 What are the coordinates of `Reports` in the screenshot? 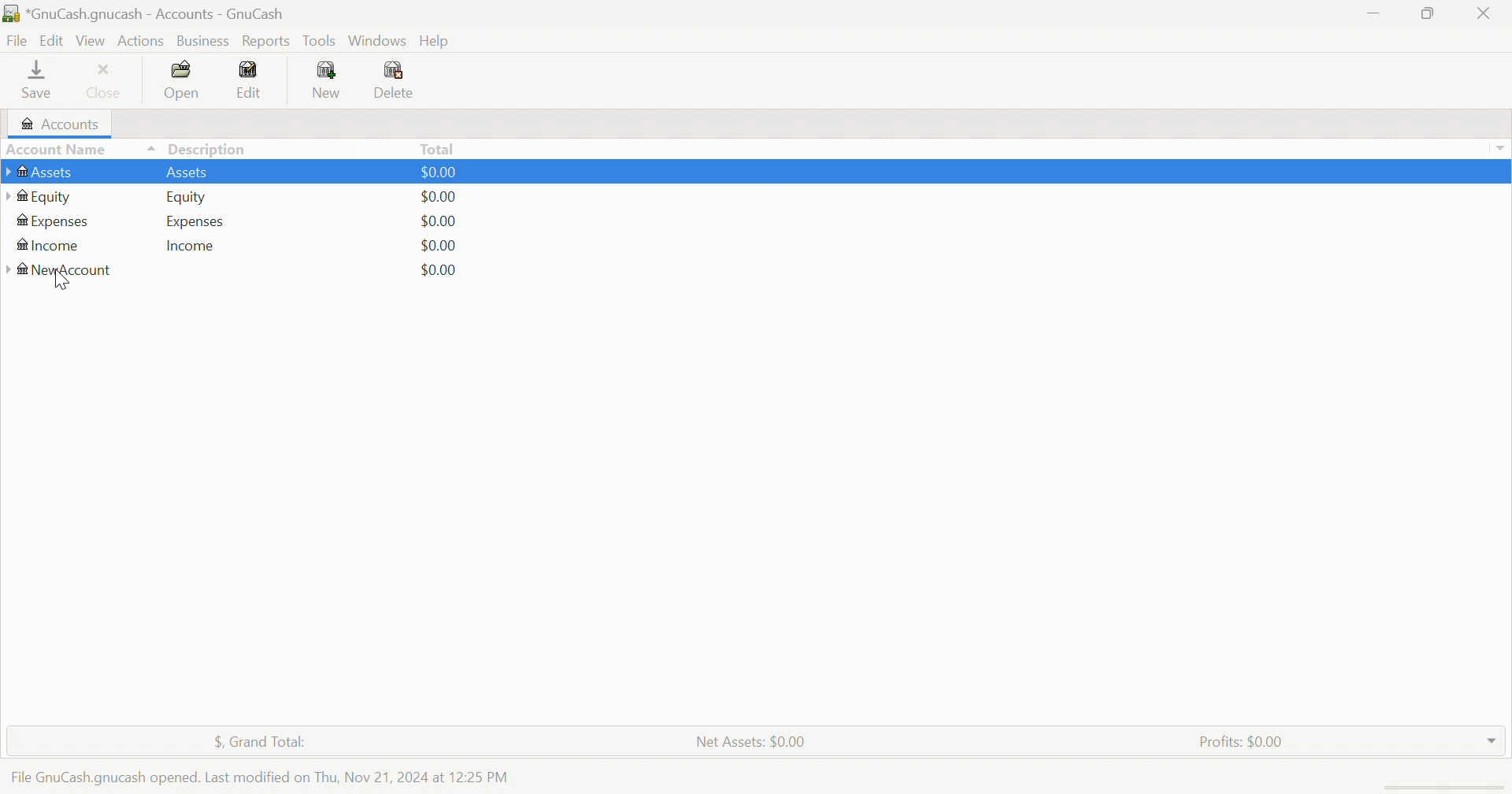 It's located at (265, 42).